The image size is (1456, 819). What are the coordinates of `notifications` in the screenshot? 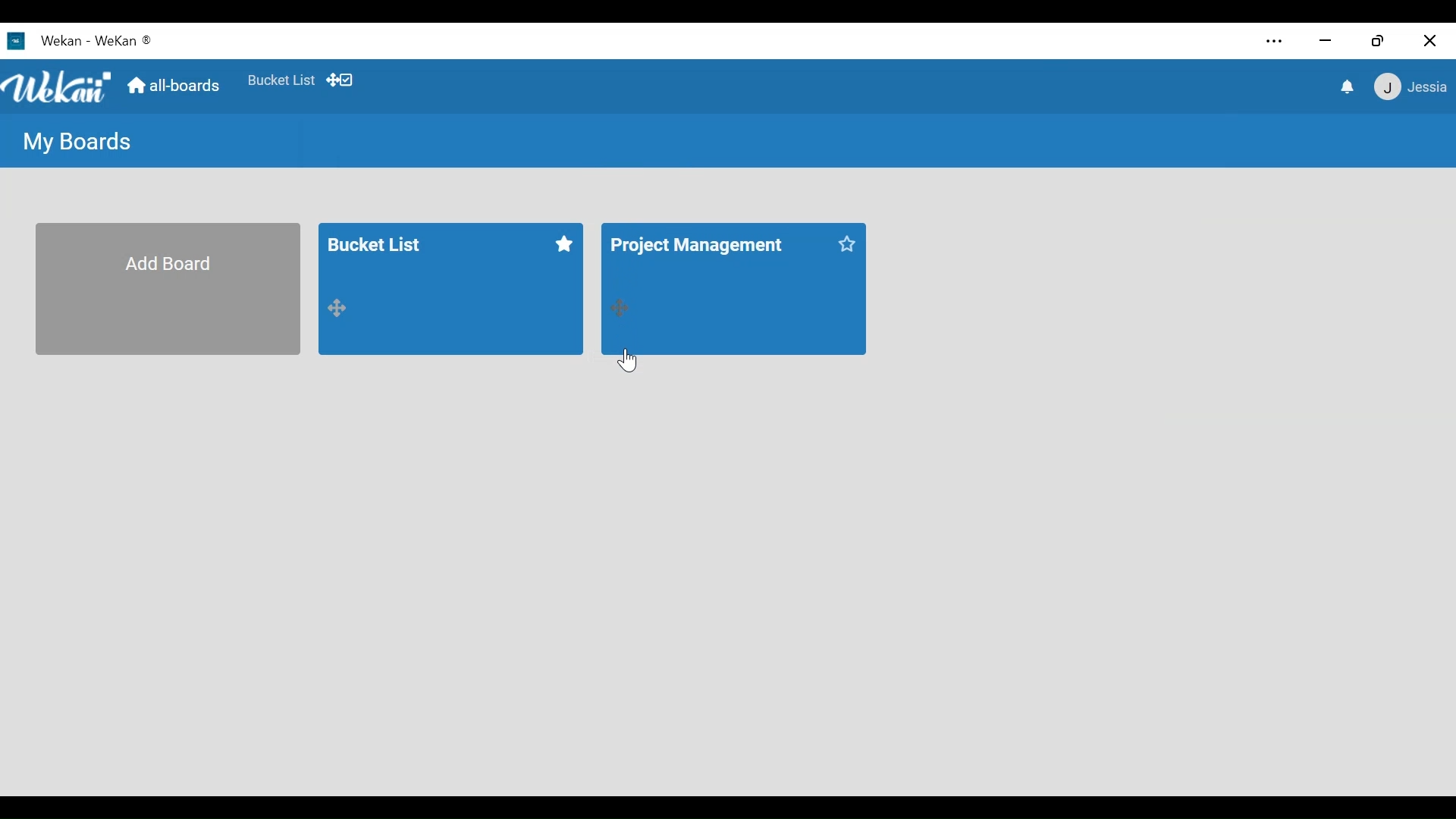 It's located at (1345, 86).